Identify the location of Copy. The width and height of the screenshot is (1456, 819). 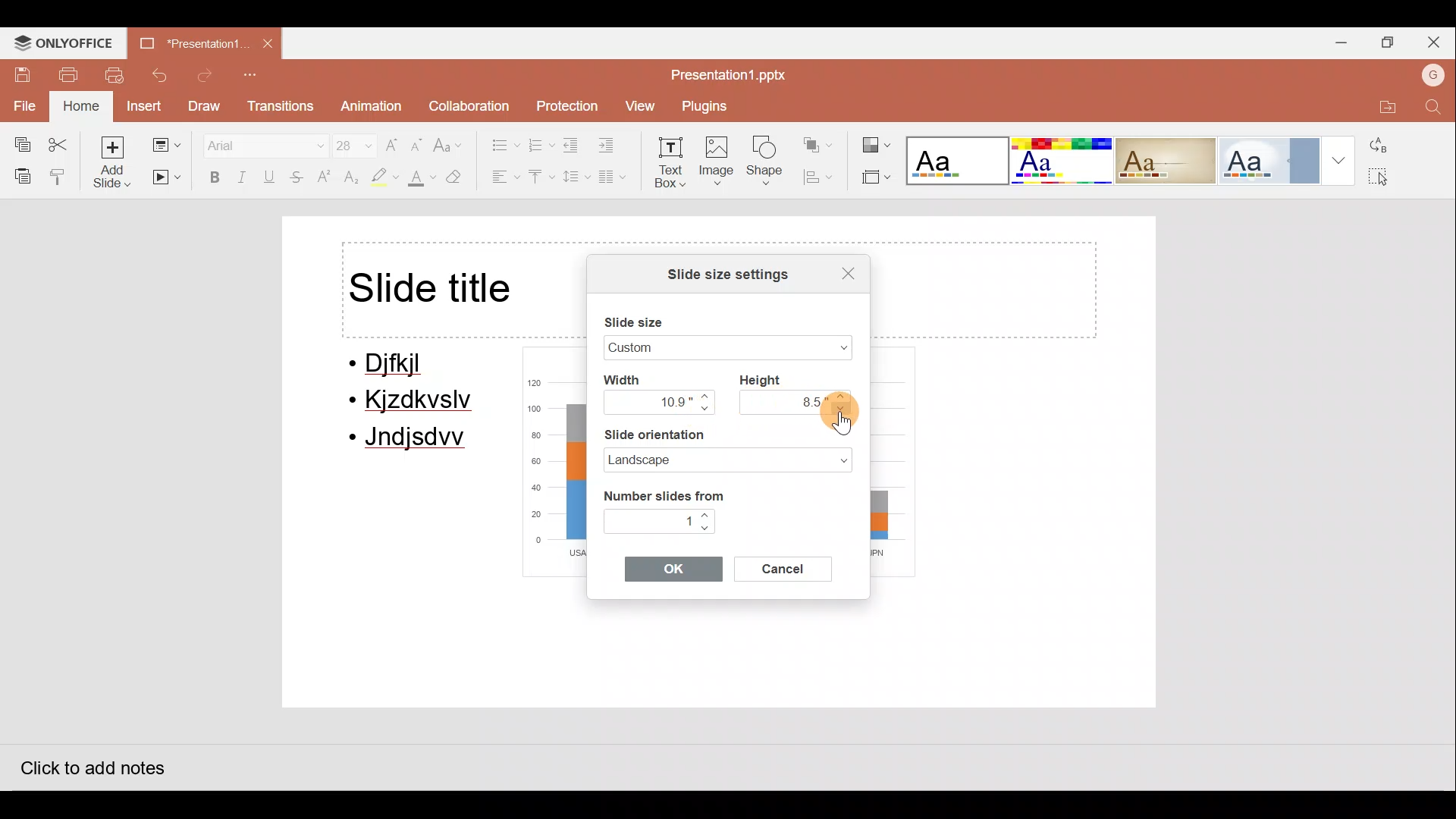
(17, 141).